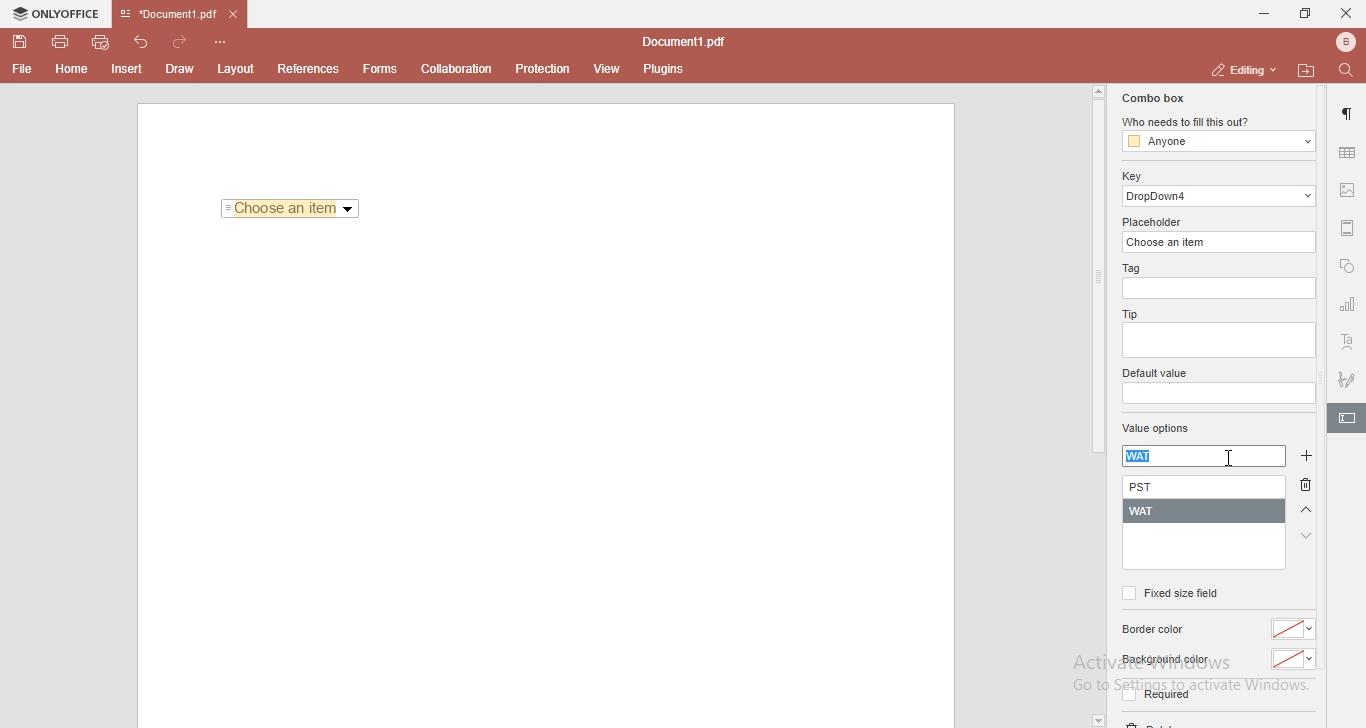 The image size is (1366, 728). What do you see at coordinates (1127, 313) in the screenshot?
I see `tip` at bounding box center [1127, 313].